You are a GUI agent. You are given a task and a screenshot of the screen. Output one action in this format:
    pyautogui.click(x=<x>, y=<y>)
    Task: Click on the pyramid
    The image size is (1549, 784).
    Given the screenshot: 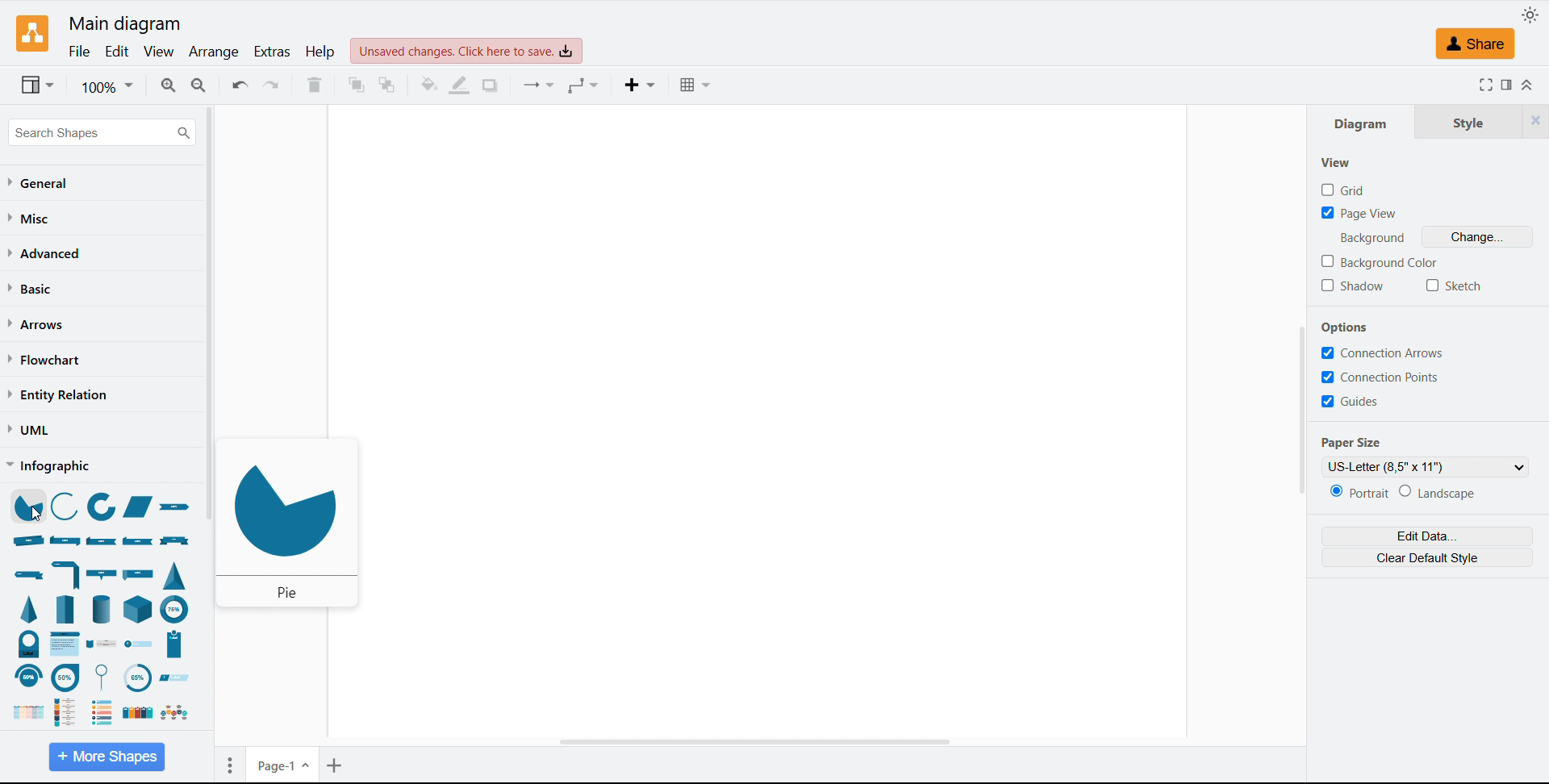 What is the action you would take?
    pyautogui.click(x=28, y=612)
    